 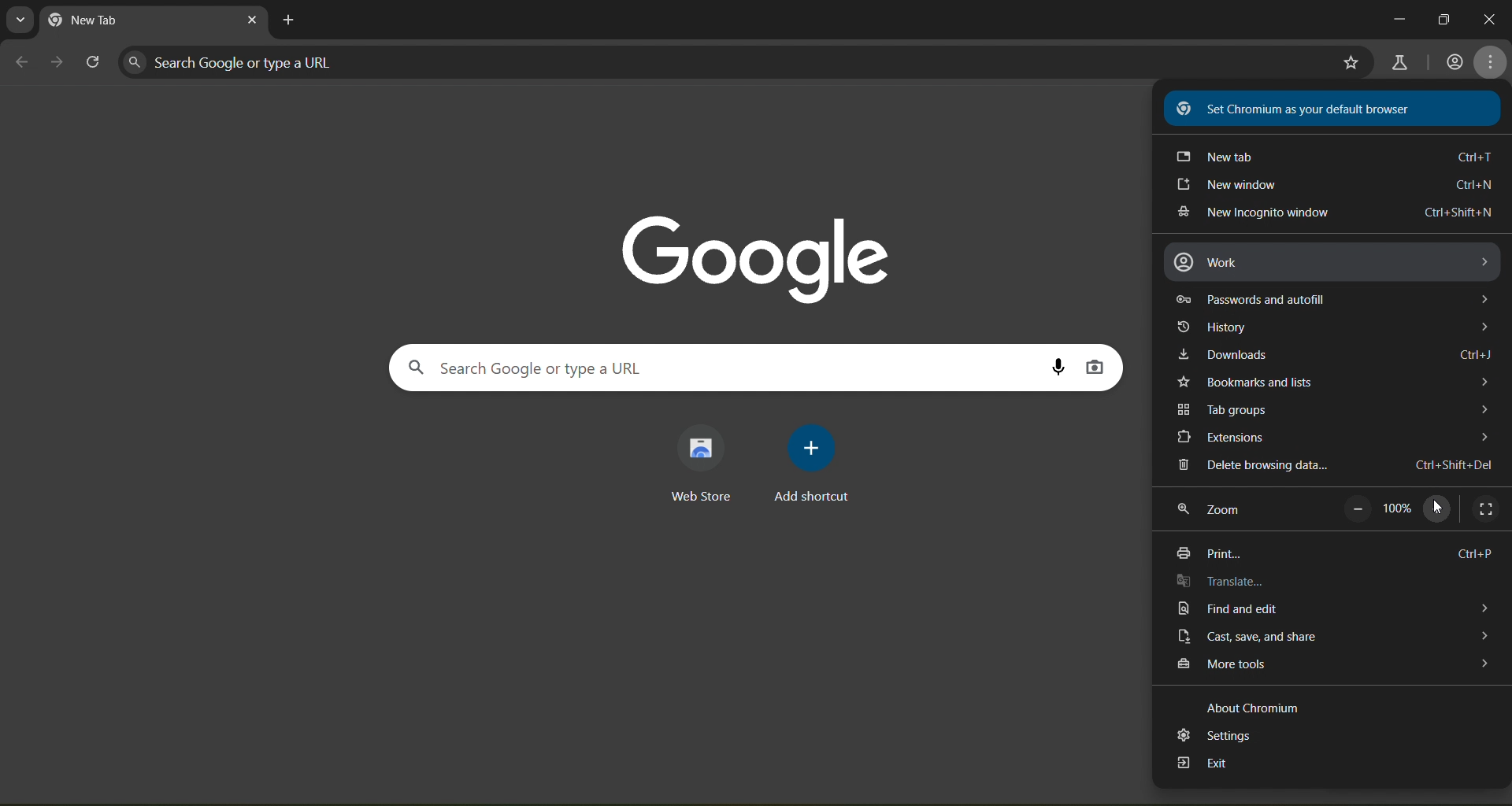 I want to click on close, so click(x=1491, y=22).